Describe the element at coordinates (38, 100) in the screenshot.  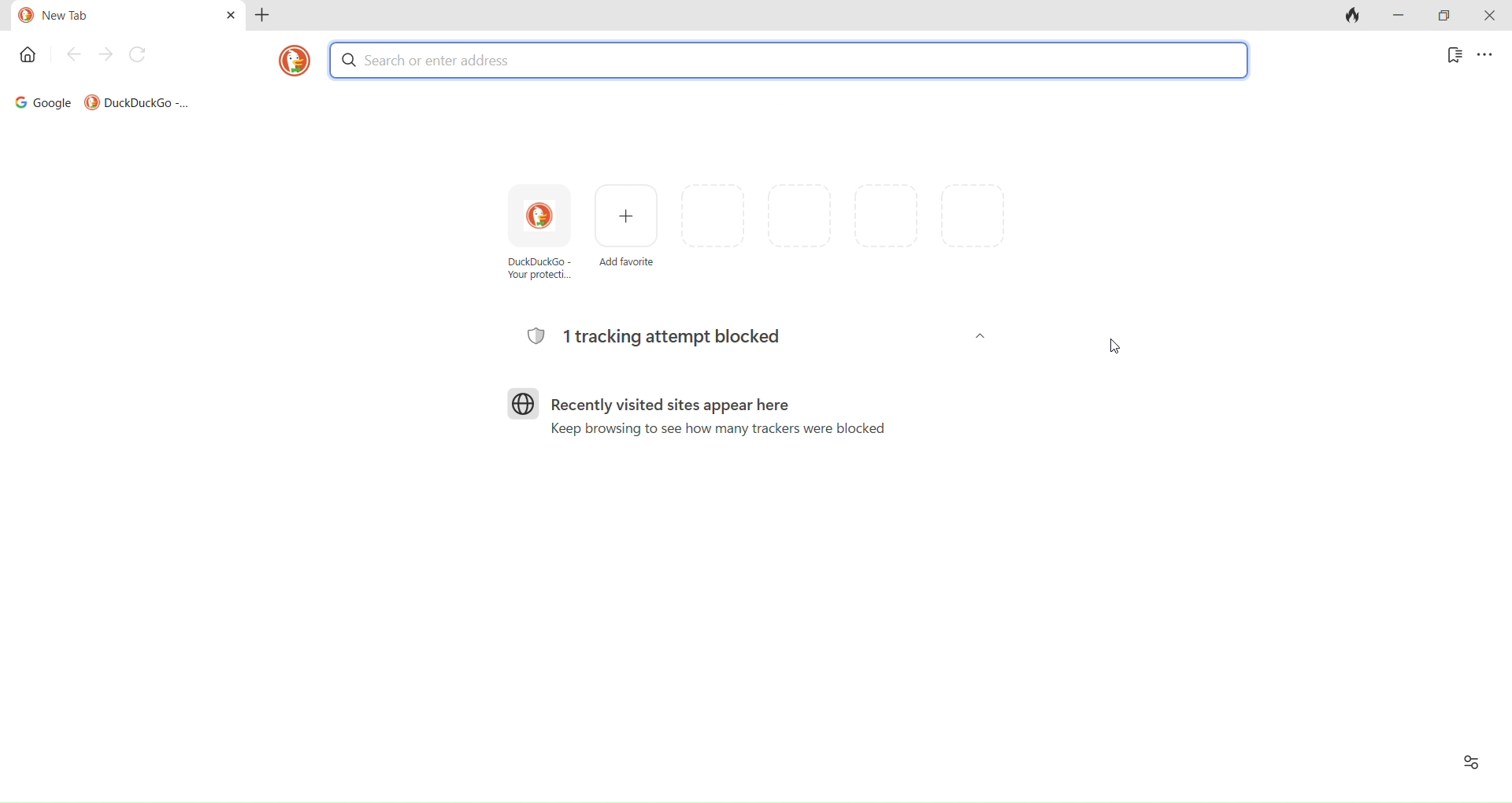
I see `google` at that location.